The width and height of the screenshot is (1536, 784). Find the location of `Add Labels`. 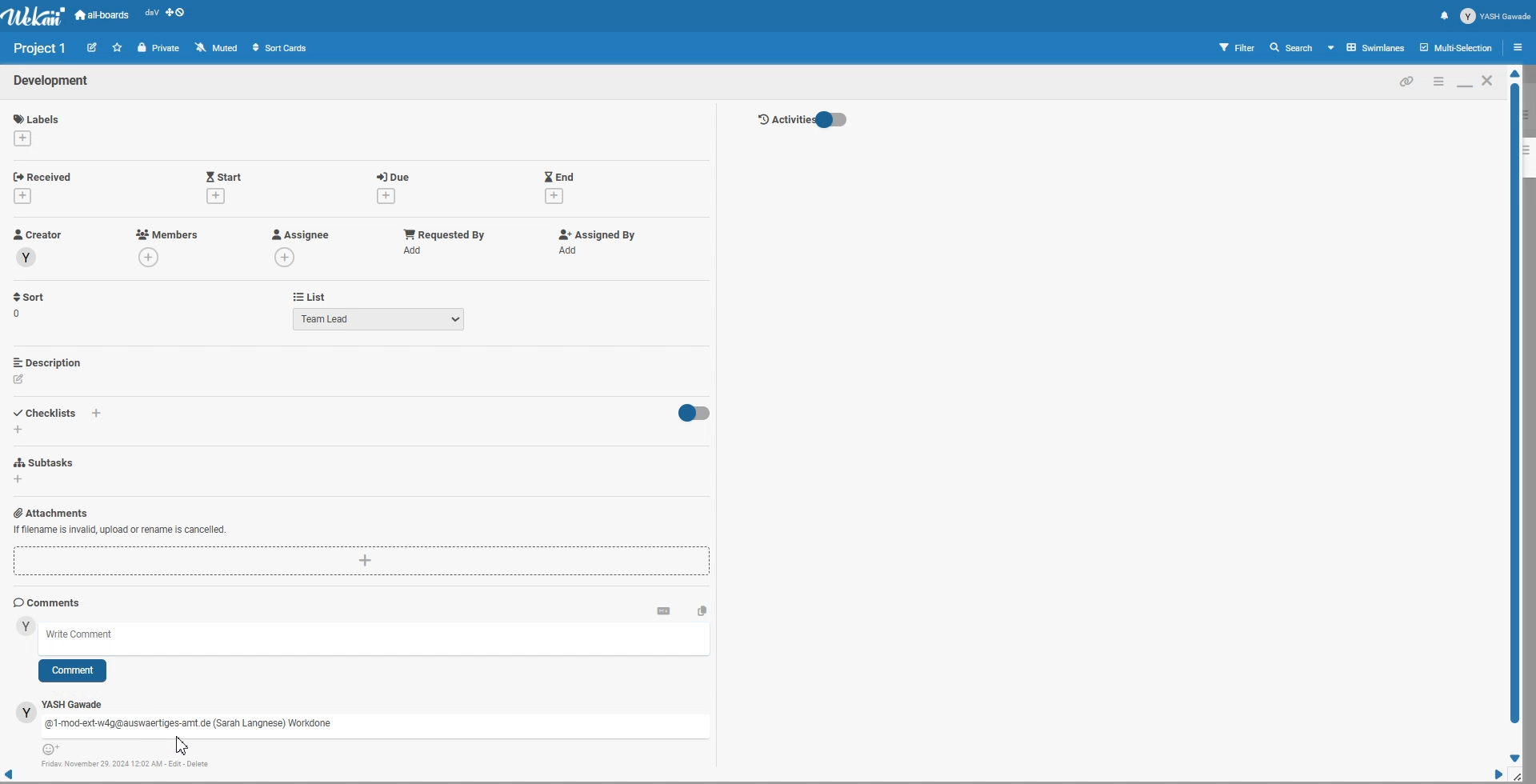

Add Labels is located at coordinates (38, 116).